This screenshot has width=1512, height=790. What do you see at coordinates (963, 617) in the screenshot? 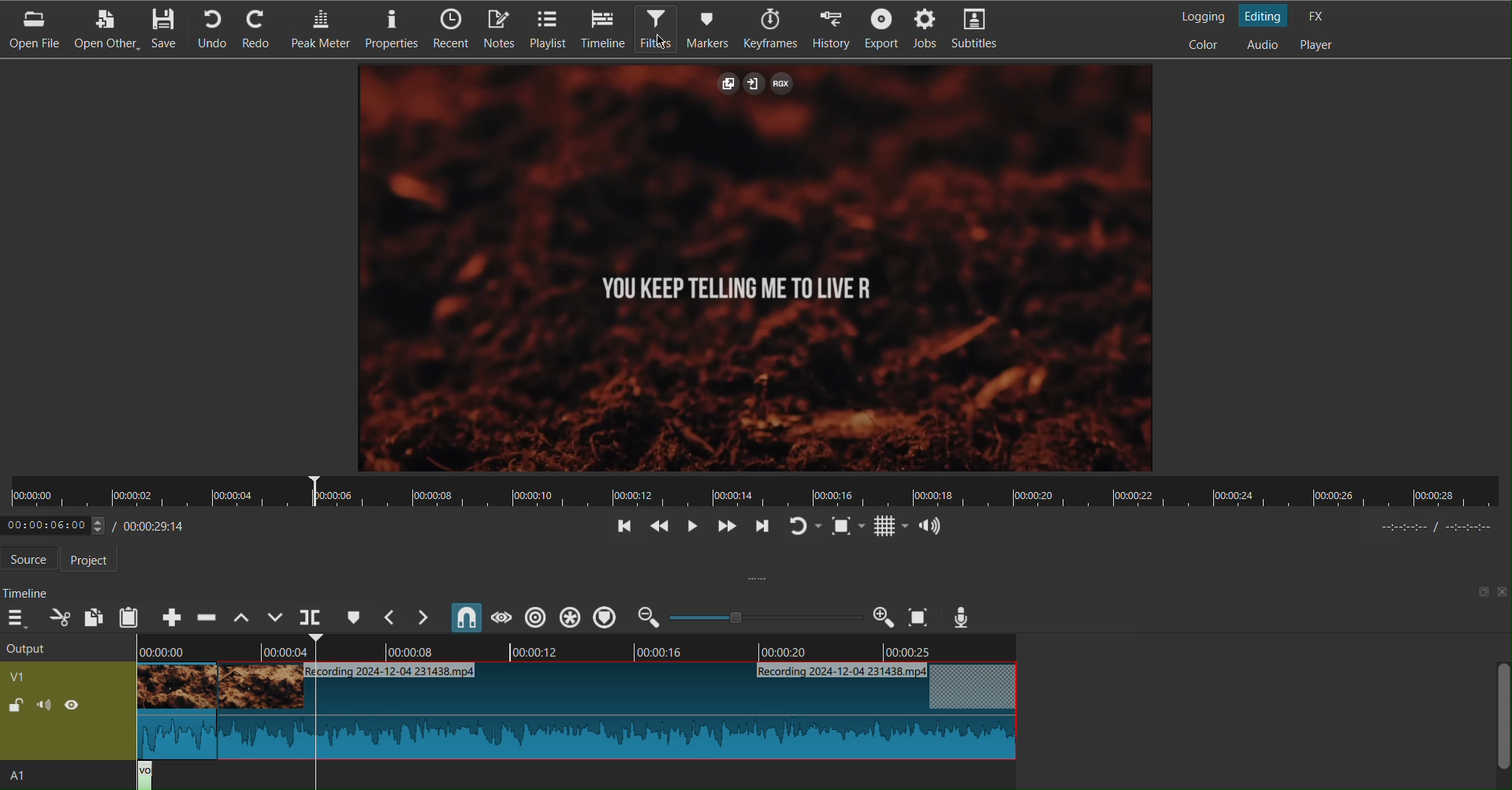
I see `Voiceover` at bounding box center [963, 617].